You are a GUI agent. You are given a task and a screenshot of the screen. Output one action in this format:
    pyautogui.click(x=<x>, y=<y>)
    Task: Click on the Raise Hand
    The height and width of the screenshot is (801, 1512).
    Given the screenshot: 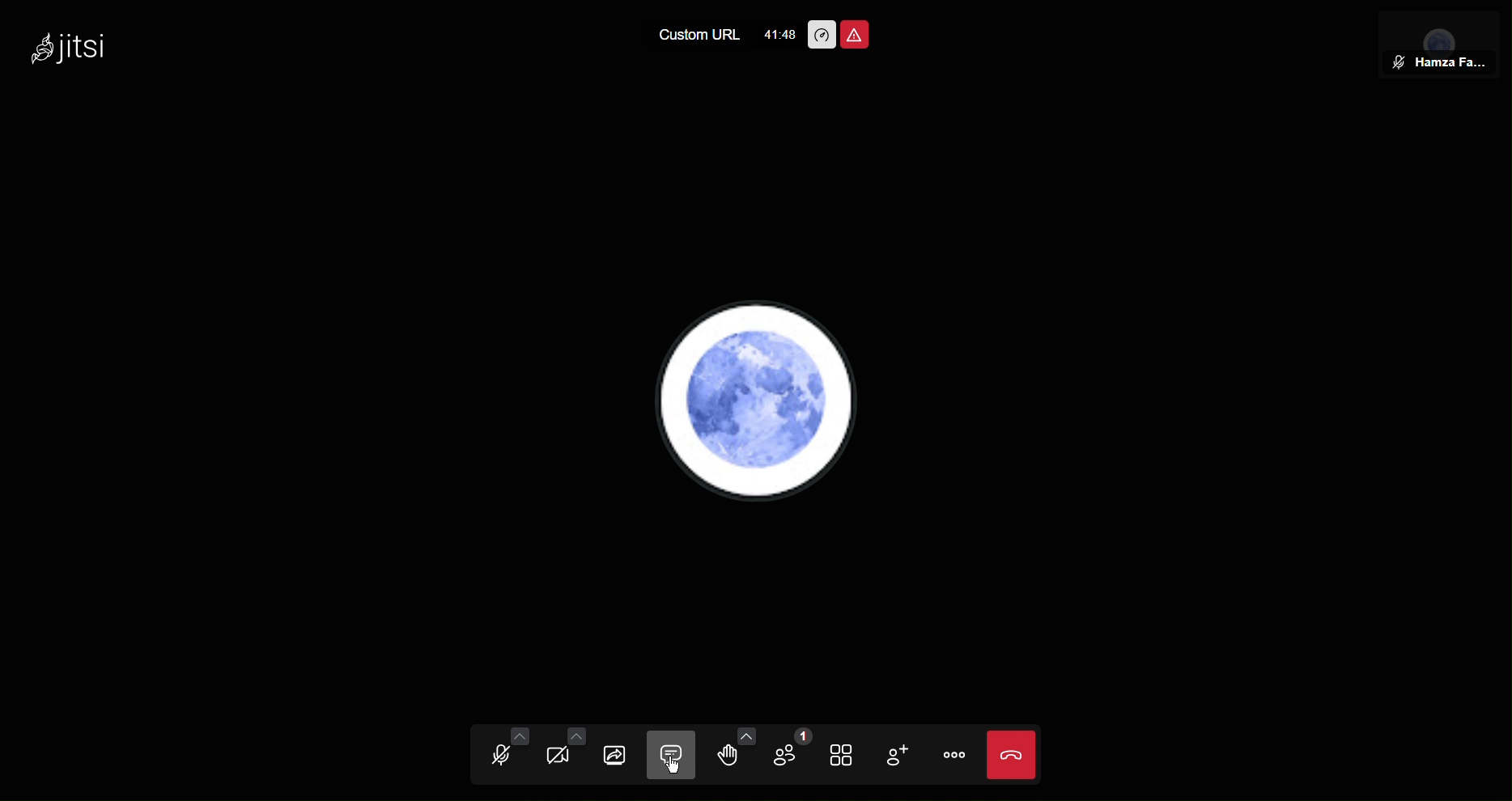 What is the action you would take?
    pyautogui.click(x=730, y=753)
    